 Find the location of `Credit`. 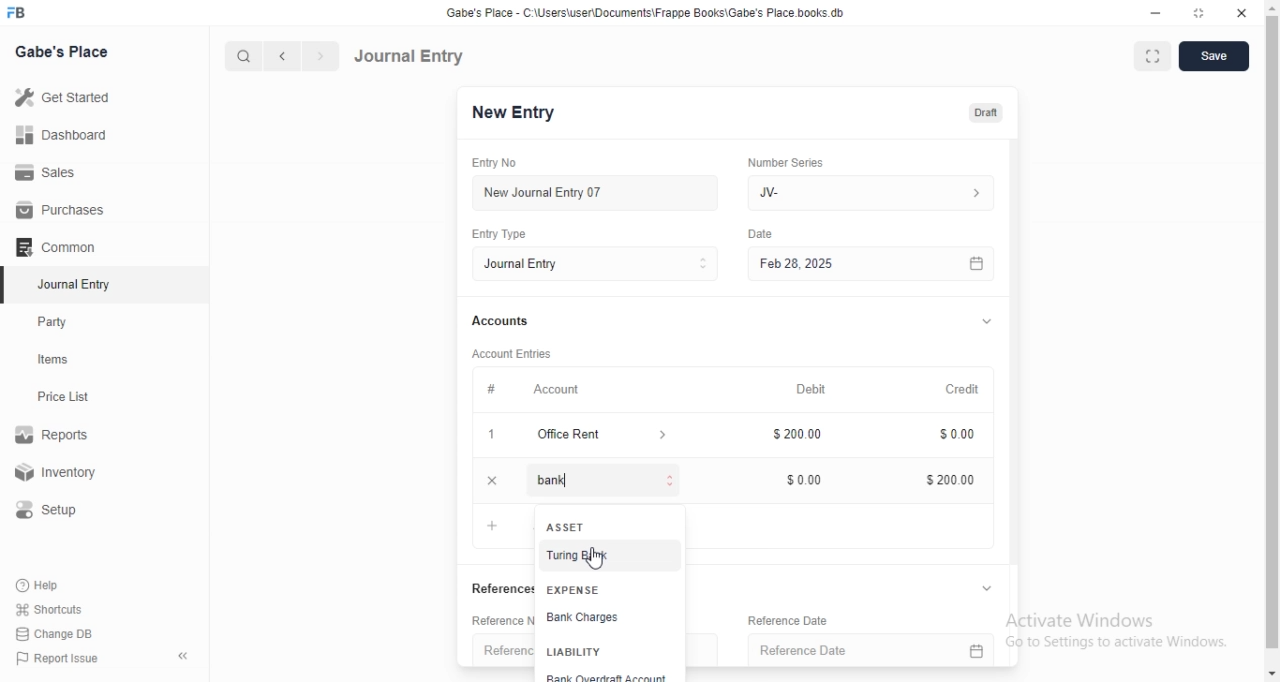

Credit is located at coordinates (969, 387).